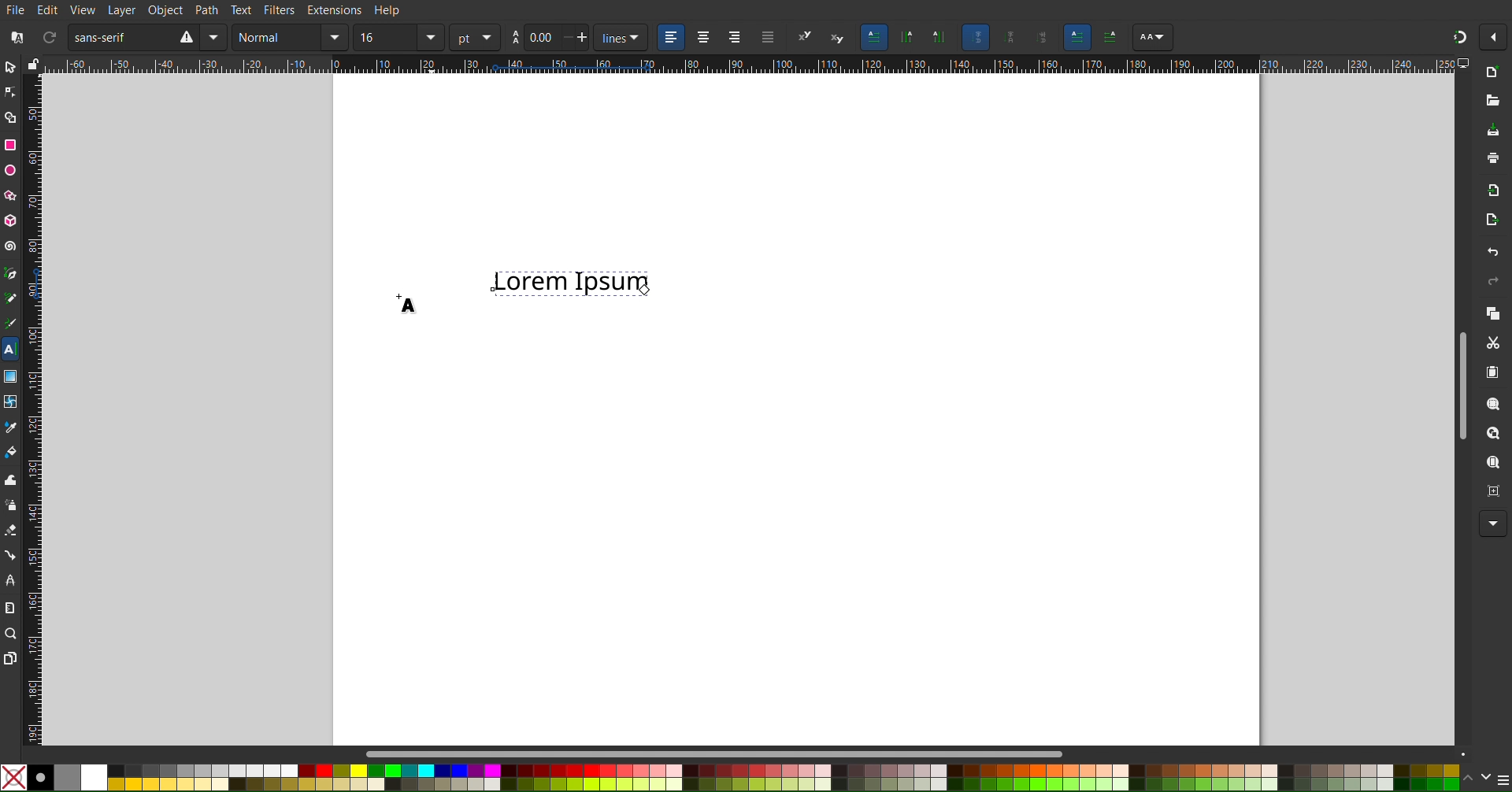 The width and height of the screenshot is (1512, 792). I want to click on Zoom Page, so click(1492, 462).